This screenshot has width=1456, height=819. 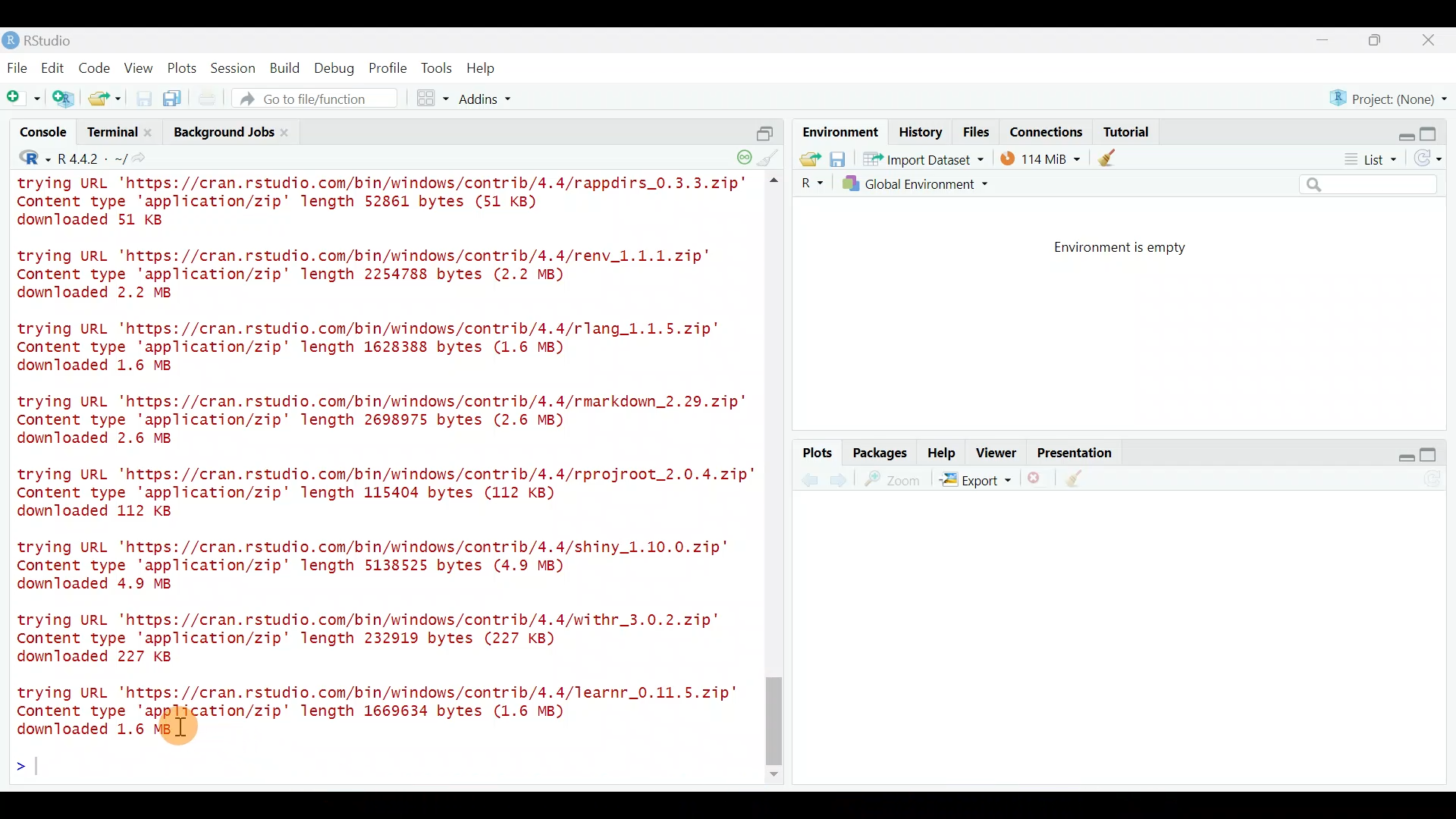 What do you see at coordinates (777, 479) in the screenshot?
I see `scroll bar` at bounding box center [777, 479].